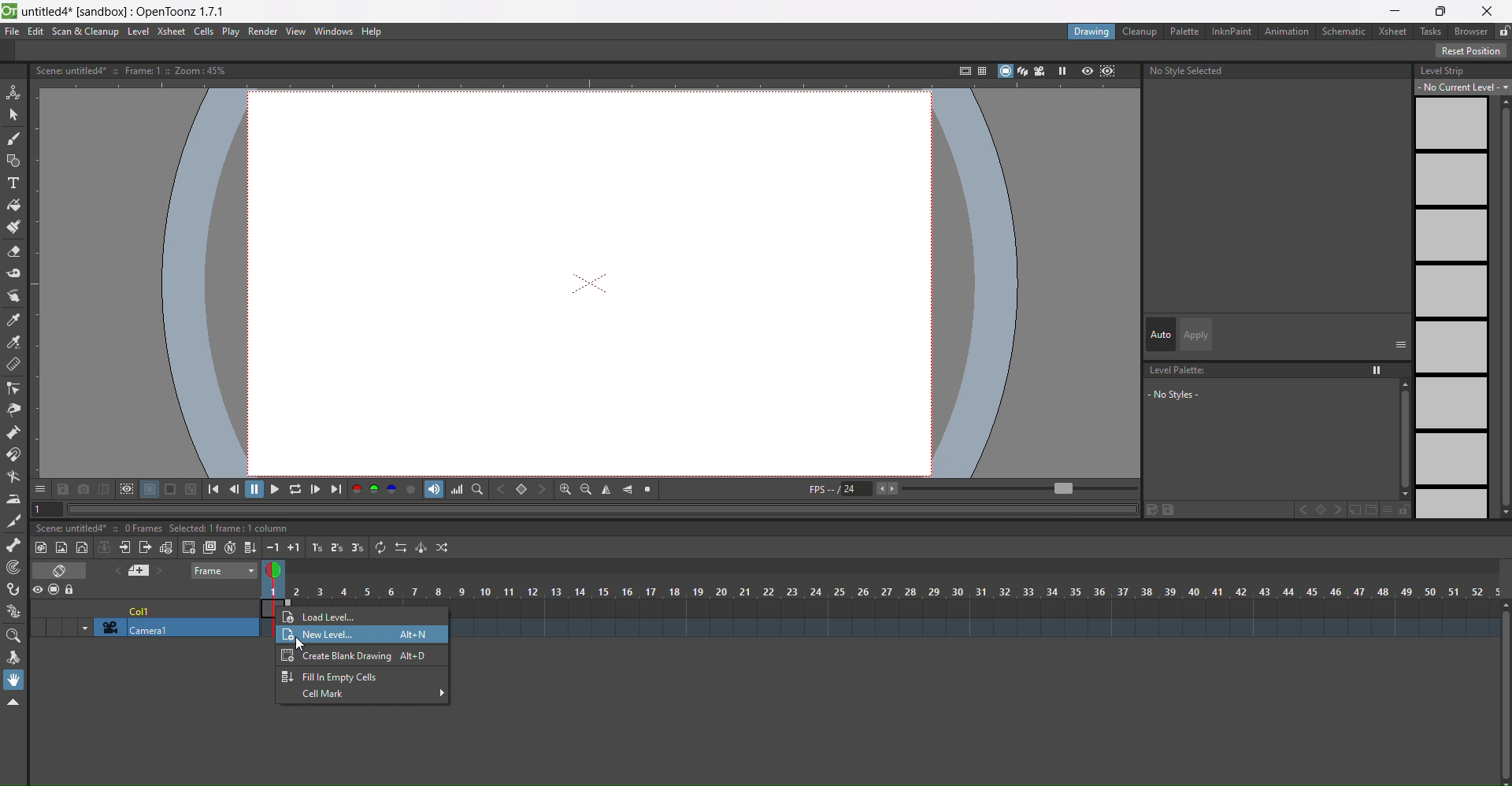  What do you see at coordinates (565, 489) in the screenshot?
I see `zoom in` at bounding box center [565, 489].